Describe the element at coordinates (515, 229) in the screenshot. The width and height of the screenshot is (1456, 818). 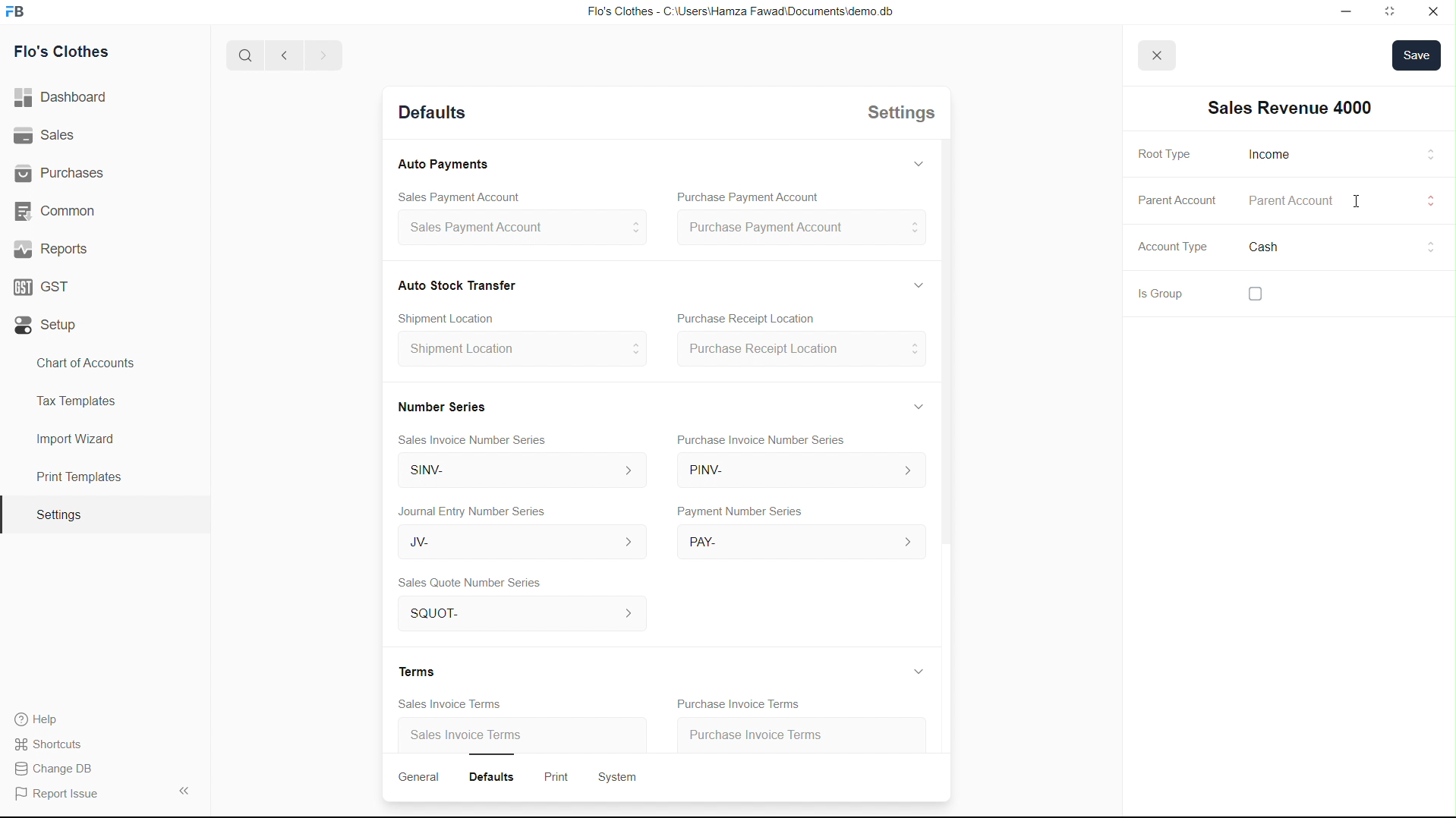
I see `sales Payment Account` at that location.